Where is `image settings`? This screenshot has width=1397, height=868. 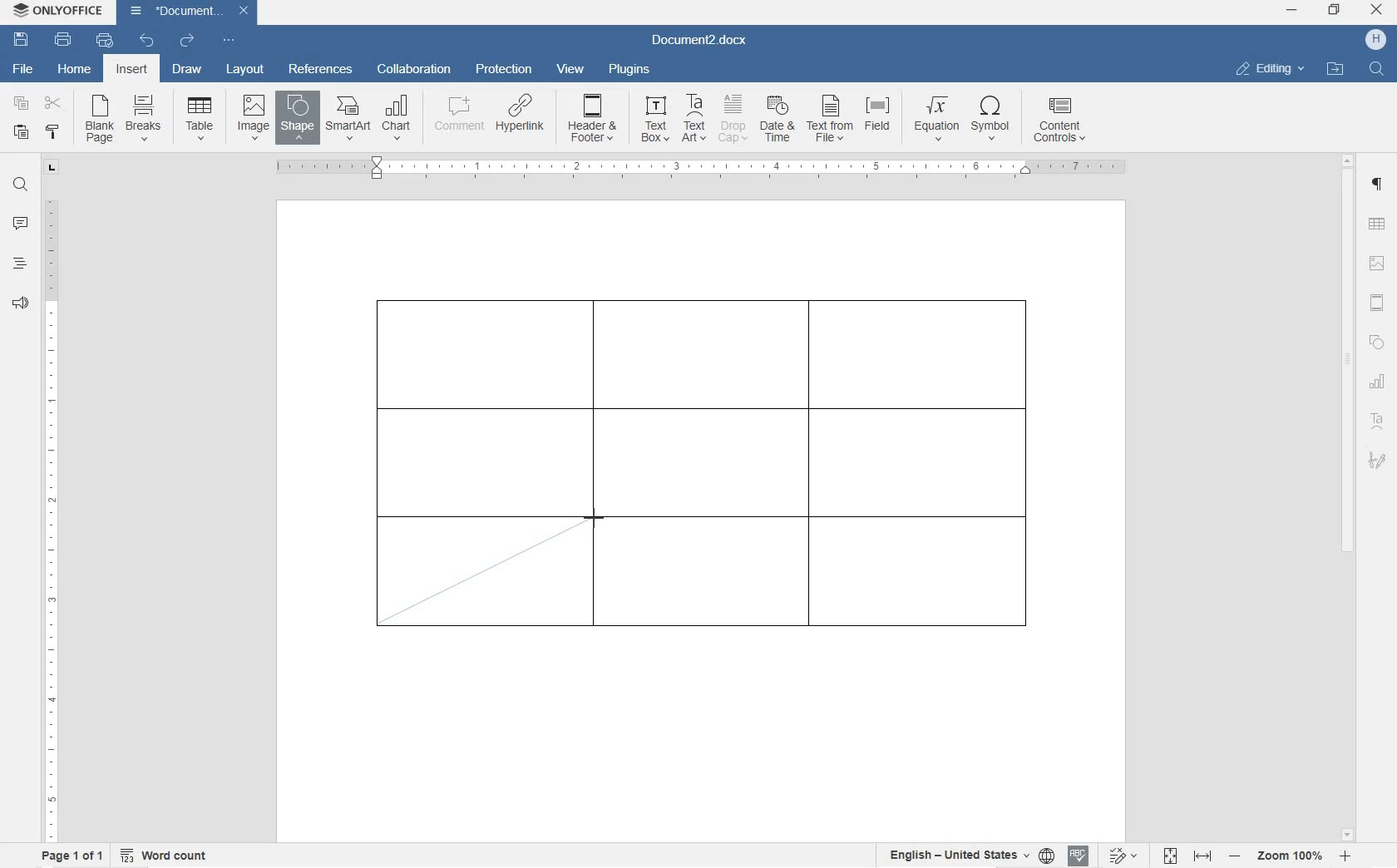
image settings is located at coordinates (1376, 264).